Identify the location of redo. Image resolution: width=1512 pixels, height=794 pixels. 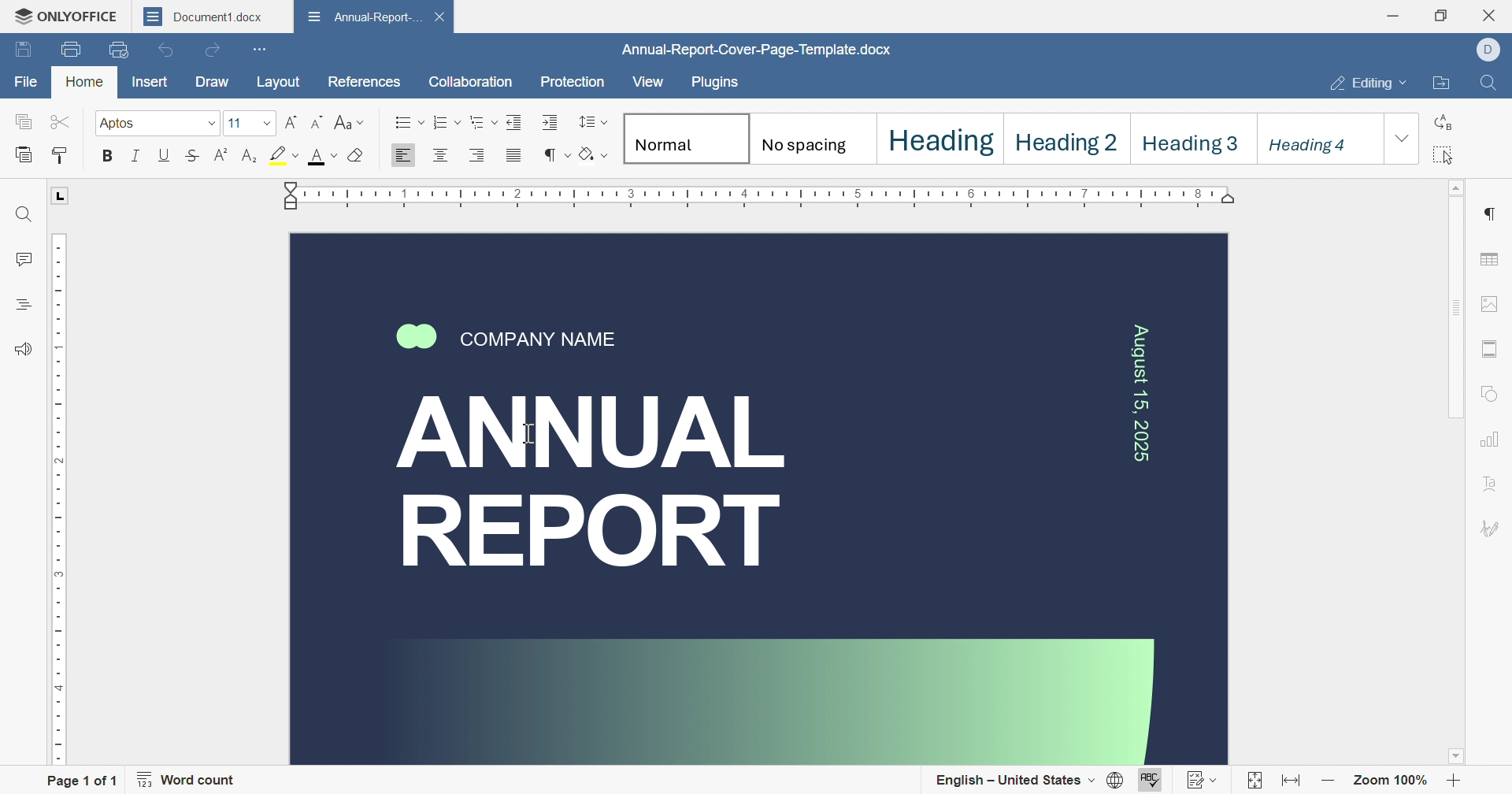
(213, 49).